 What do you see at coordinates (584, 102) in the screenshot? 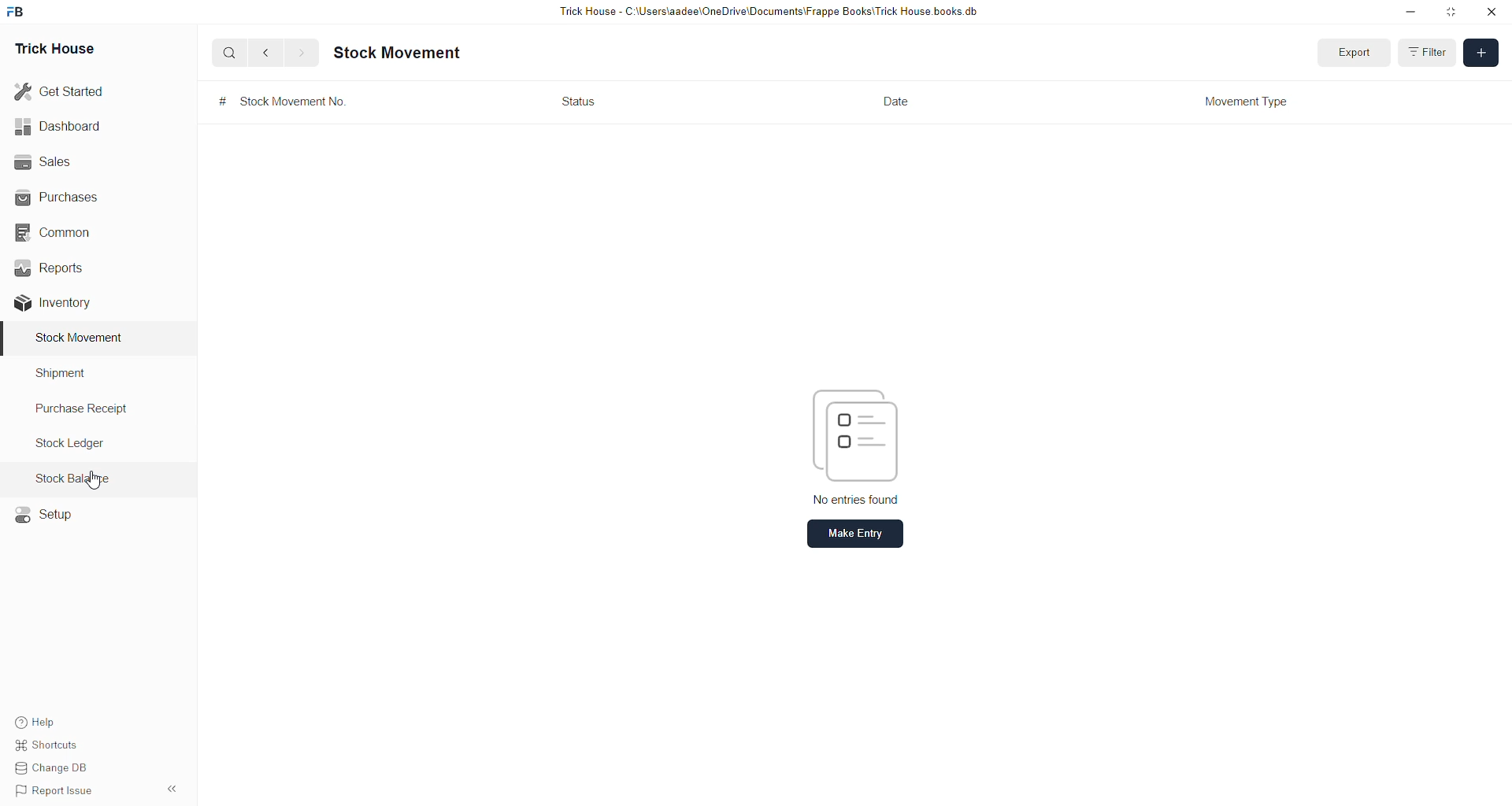
I see `Status` at bounding box center [584, 102].